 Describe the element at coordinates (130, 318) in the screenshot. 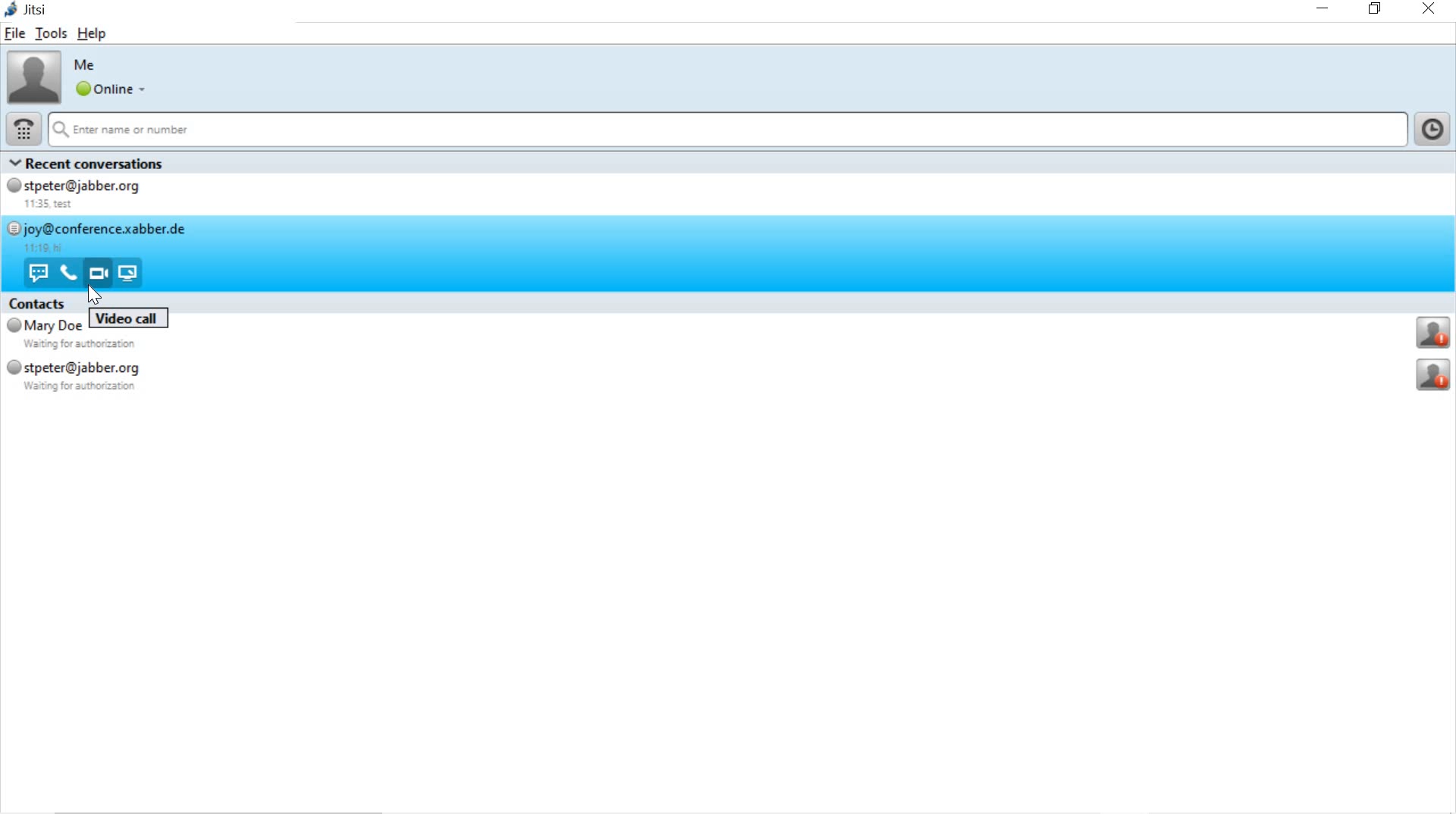

I see `video call` at that location.